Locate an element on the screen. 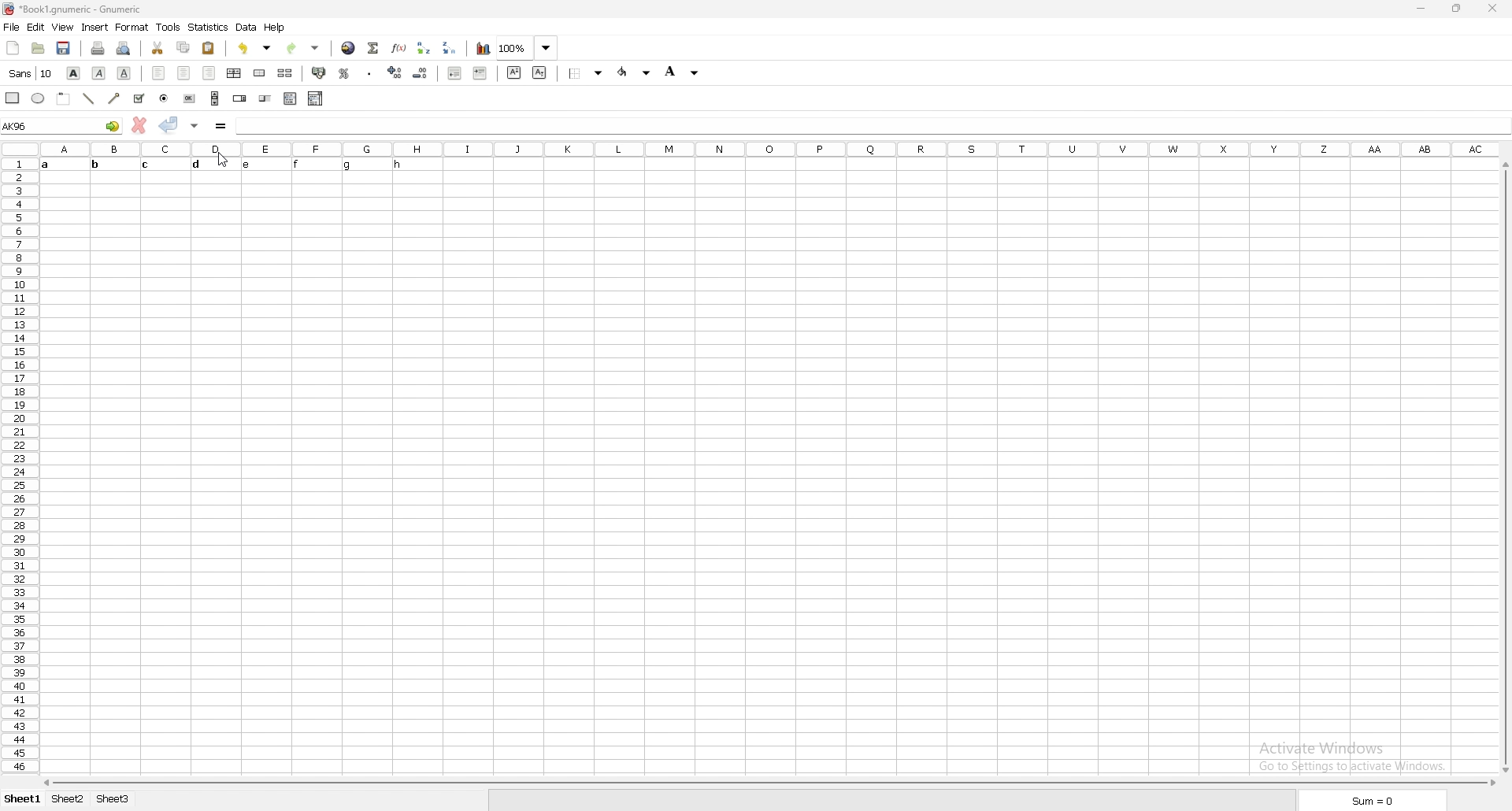 This screenshot has height=811, width=1512. increase decimal is located at coordinates (396, 72).